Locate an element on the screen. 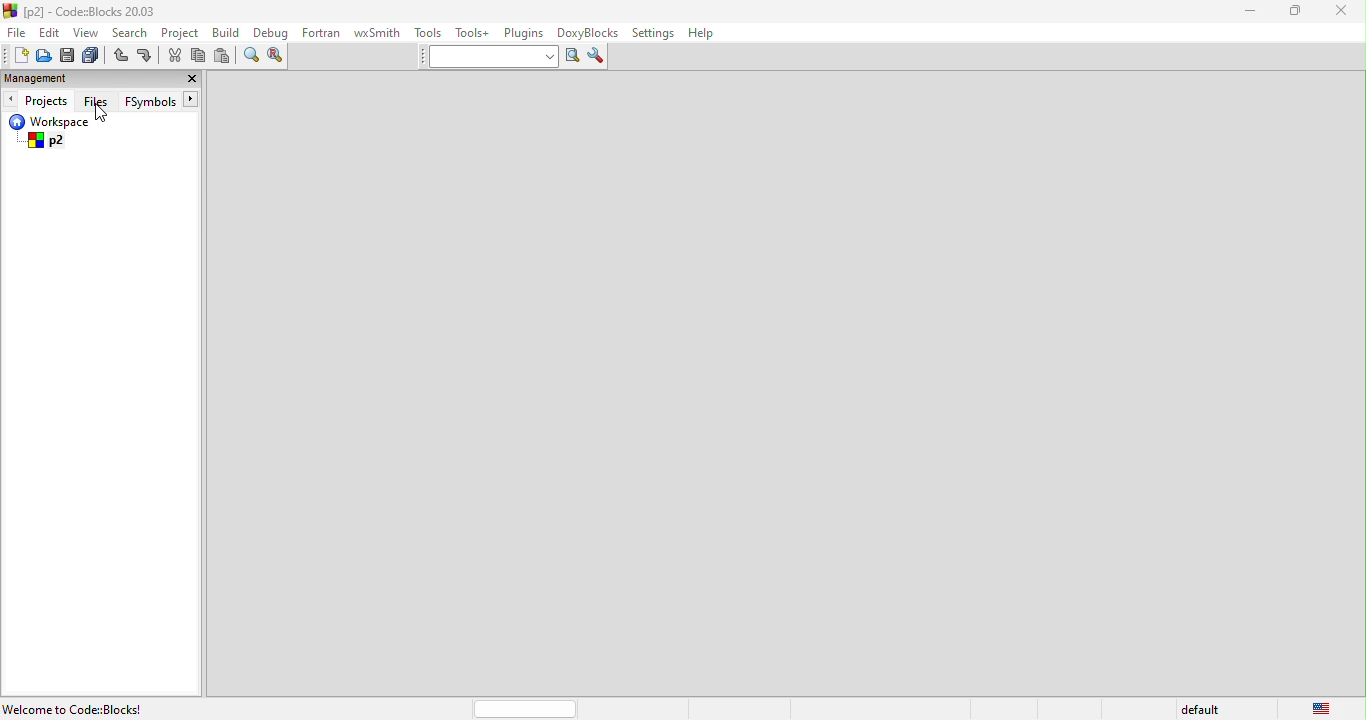 This screenshot has width=1366, height=720. fsymbols is located at coordinates (161, 100).